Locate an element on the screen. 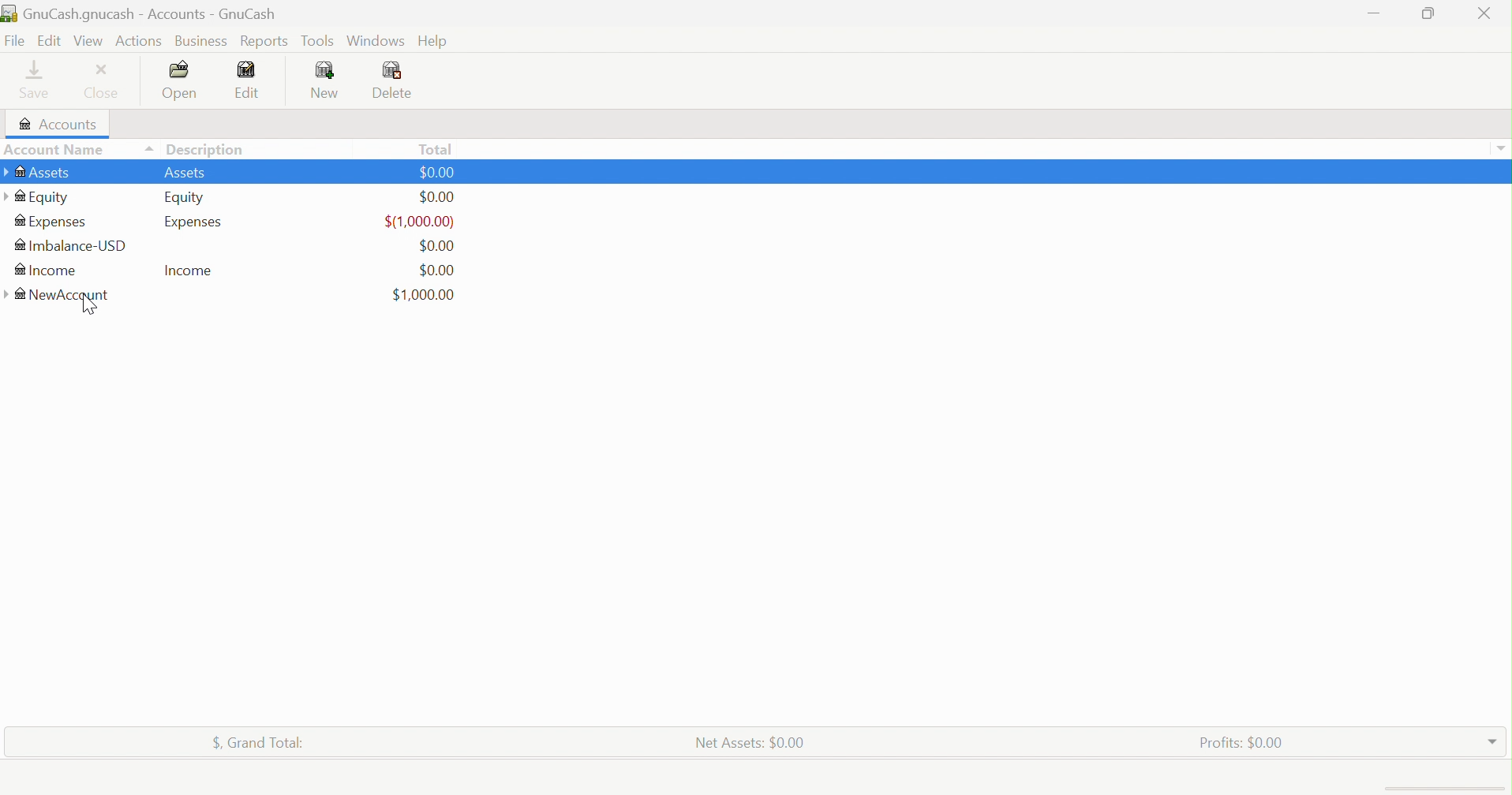 The width and height of the screenshot is (1512, 795). Close is located at coordinates (105, 80).